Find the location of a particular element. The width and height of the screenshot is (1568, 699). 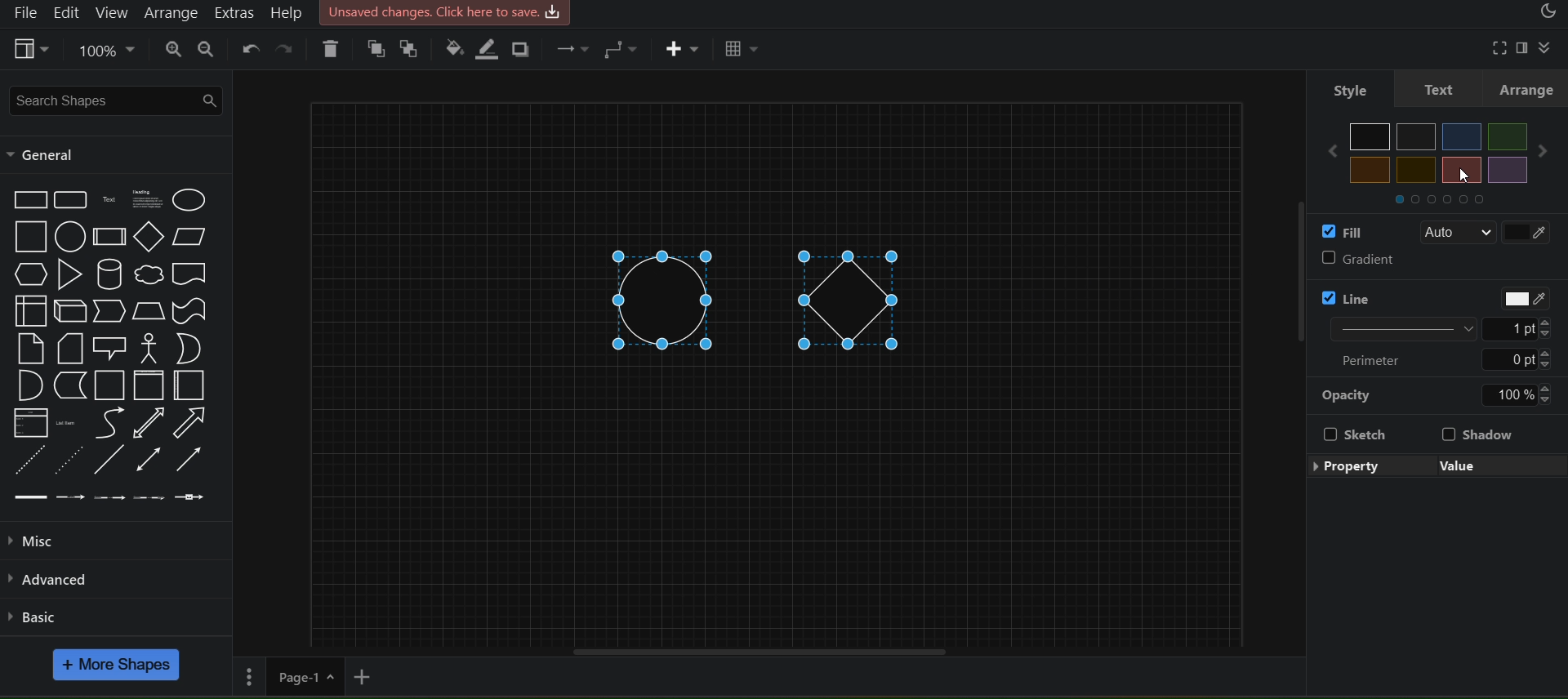

Unsaved Changes. click here to save is located at coordinates (446, 14).